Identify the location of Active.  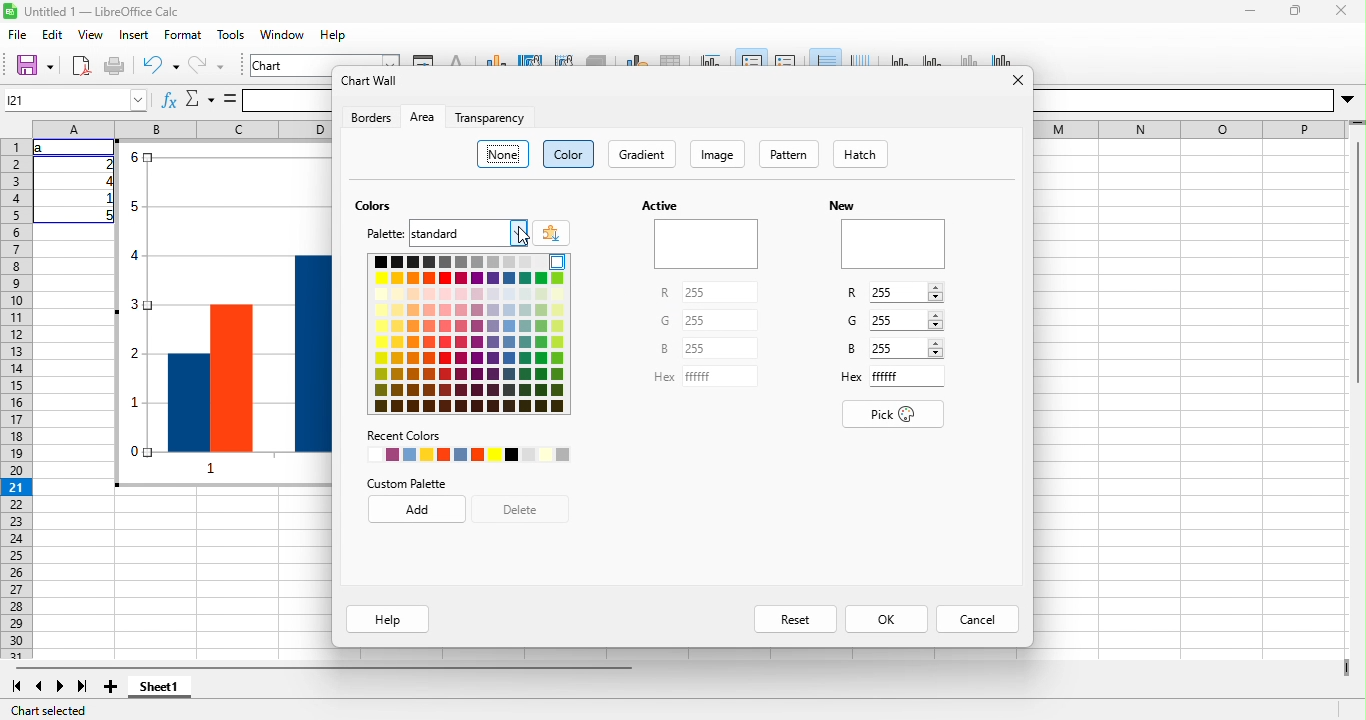
(660, 205).